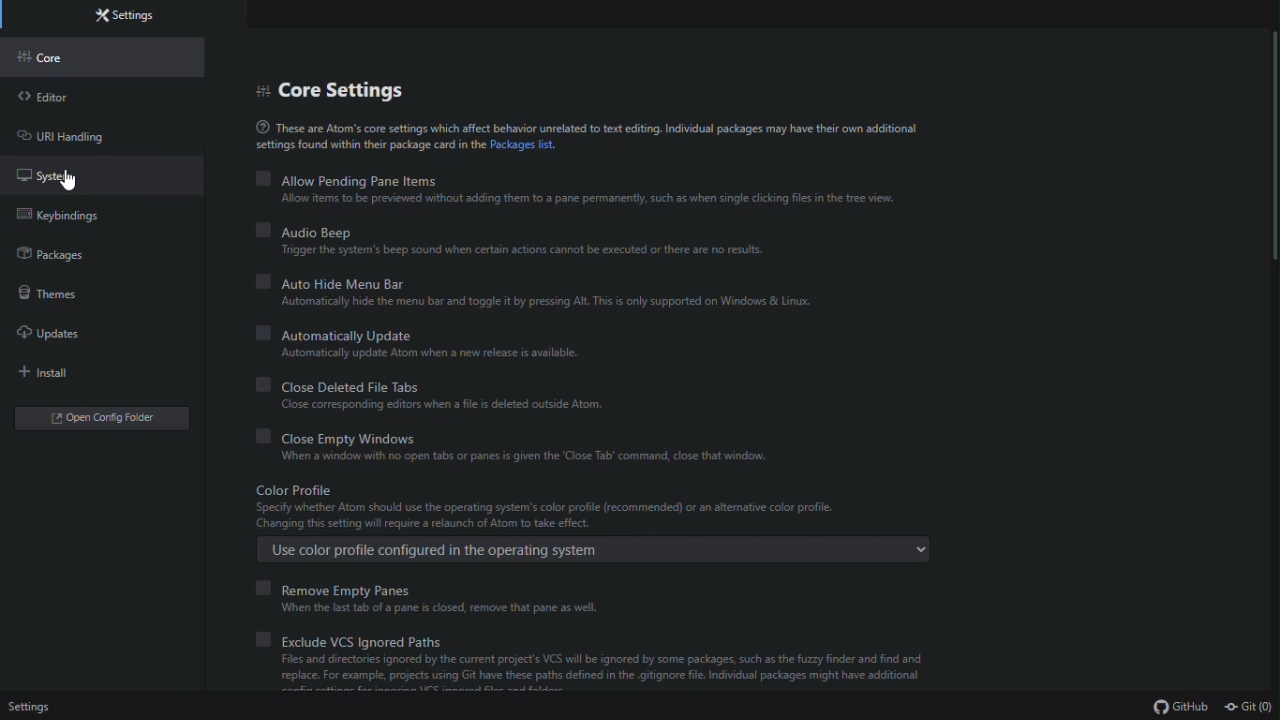 This screenshot has height=720, width=1280. Describe the element at coordinates (55, 705) in the screenshot. I see `Settings` at that location.